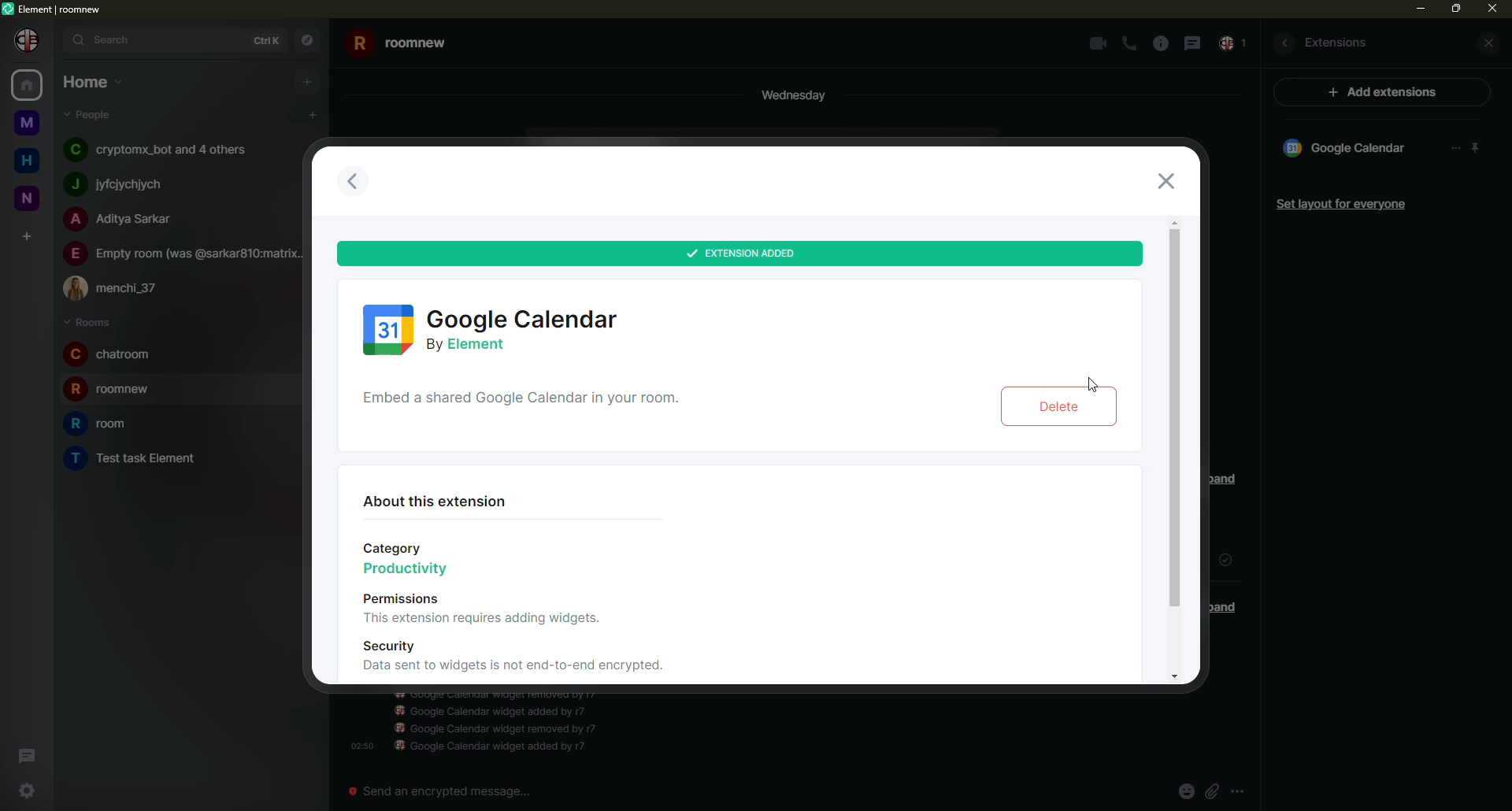  What do you see at coordinates (394, 544) in the screenshot?
I see `Category` at bounding box center [394, 544].